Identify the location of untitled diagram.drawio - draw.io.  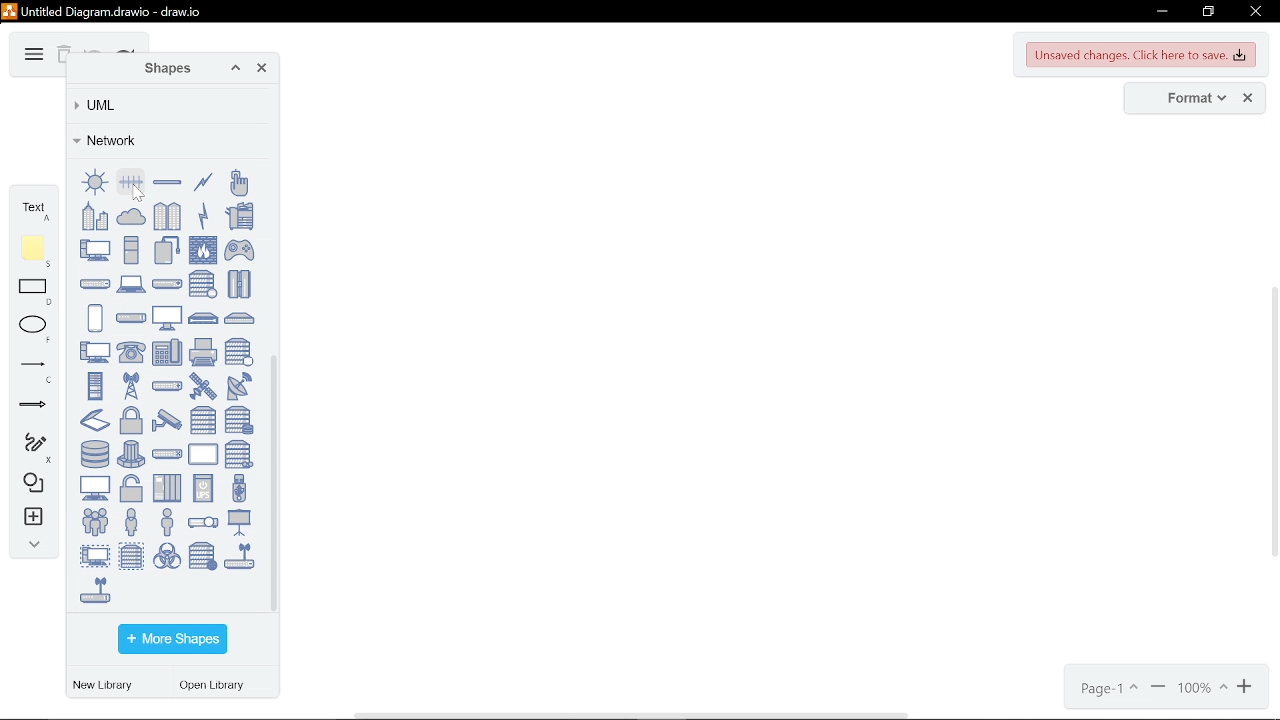
(114, 10).